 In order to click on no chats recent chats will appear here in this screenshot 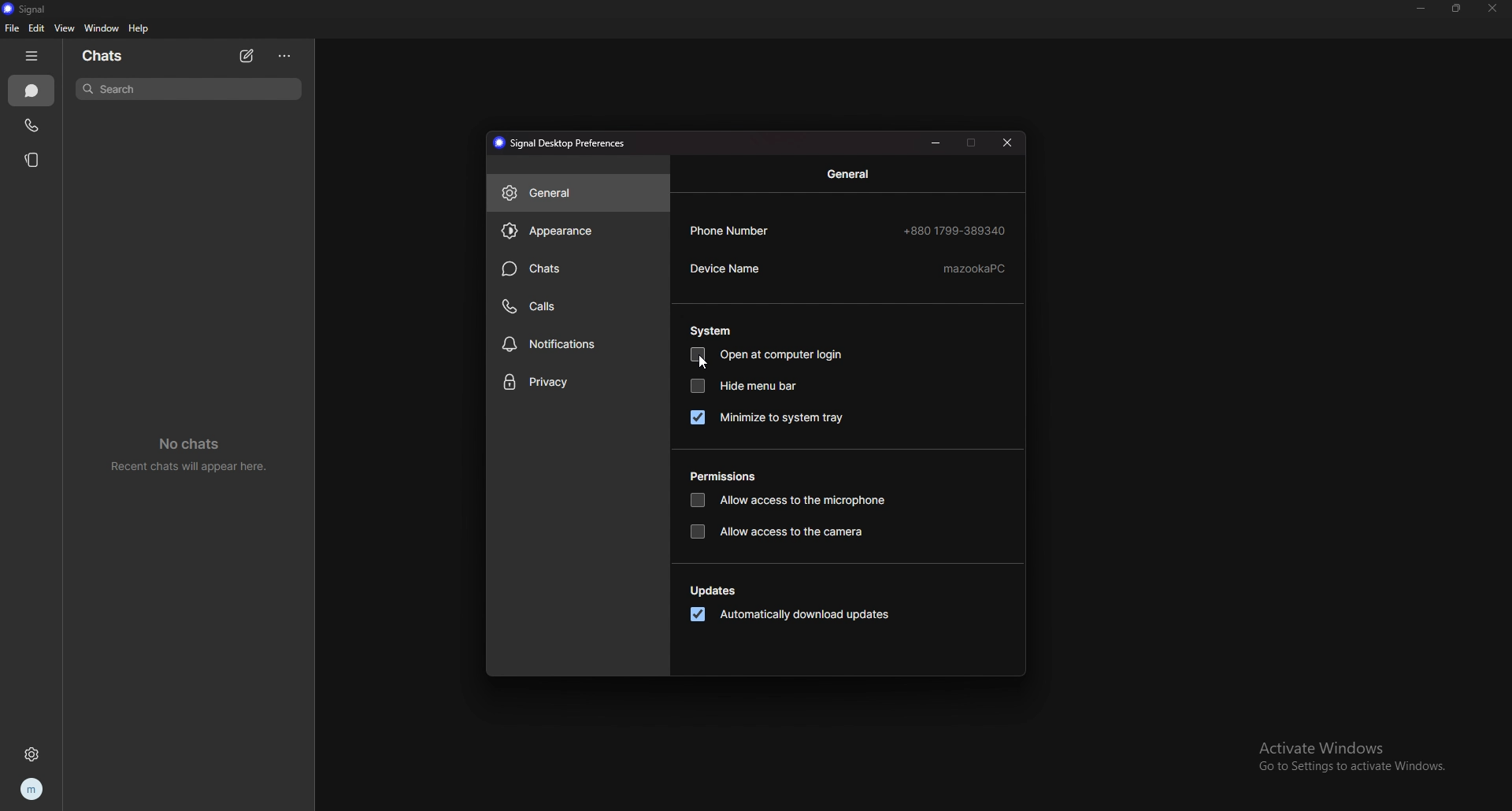, I will do `click(195, 455)`.